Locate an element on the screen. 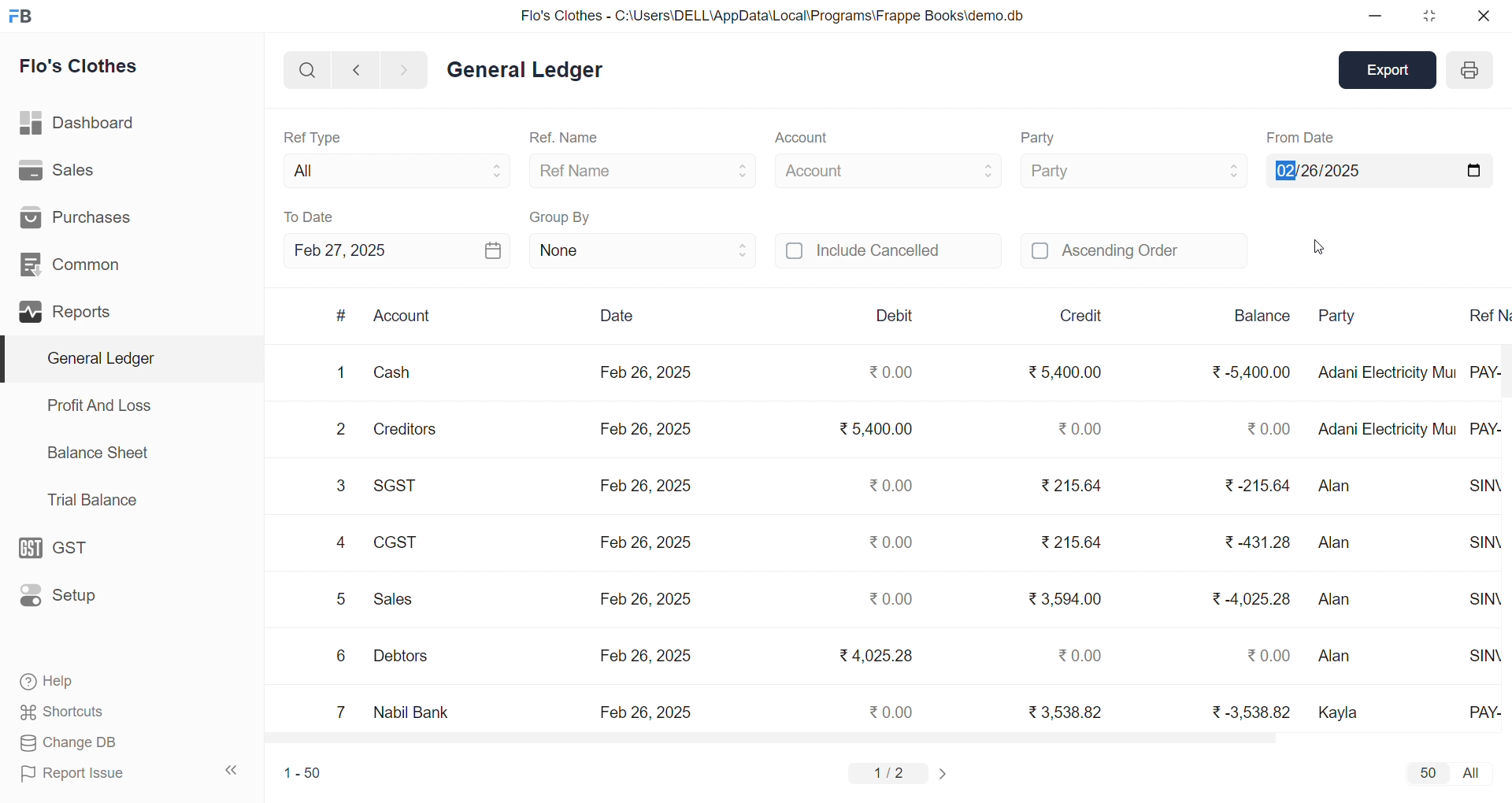 The width and height of the screenshot is (1512, 803). CHANGE PAGE is located at coordinates (945, 773).